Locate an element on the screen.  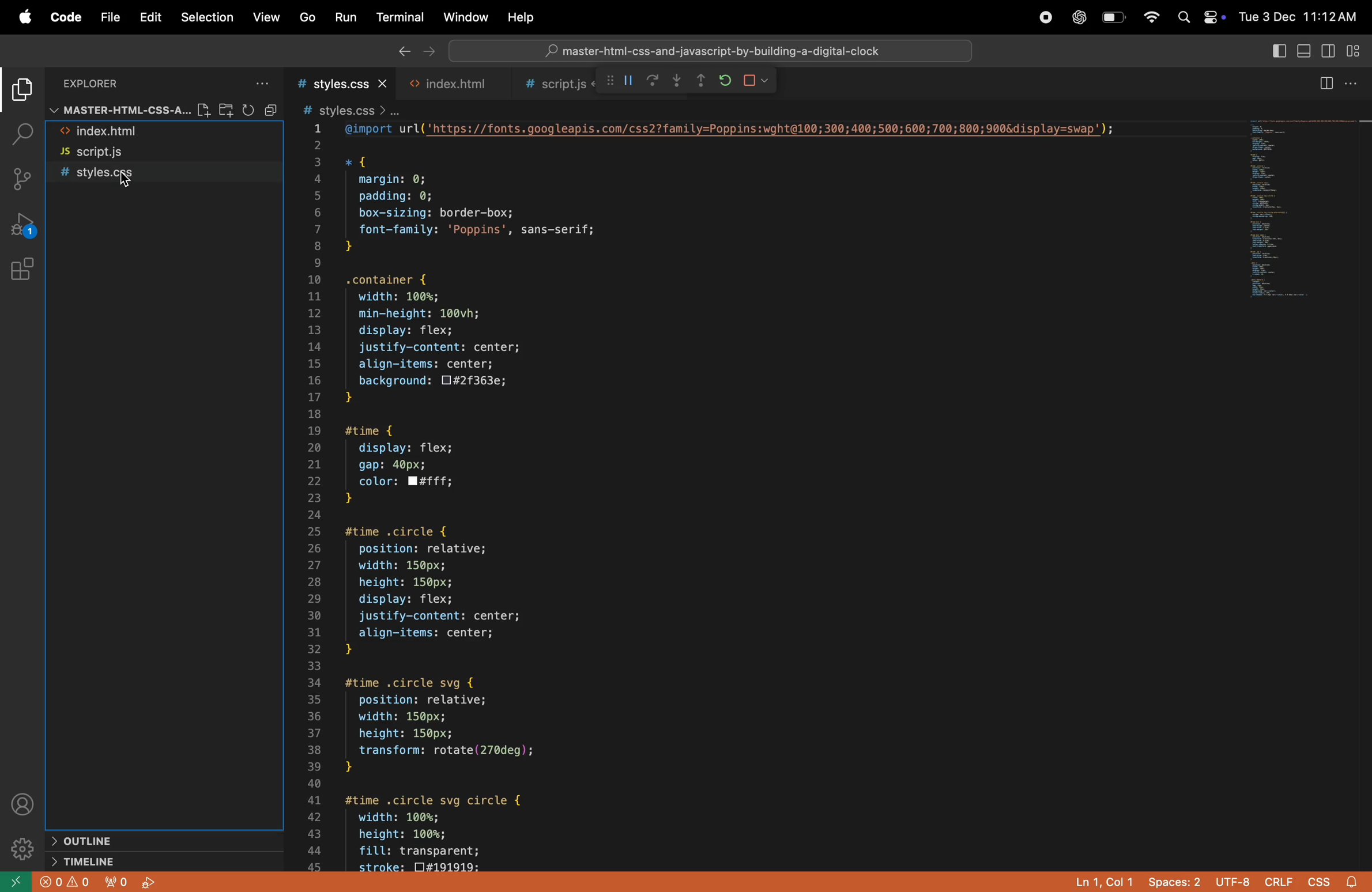
file is located at coordinates (114, 16).